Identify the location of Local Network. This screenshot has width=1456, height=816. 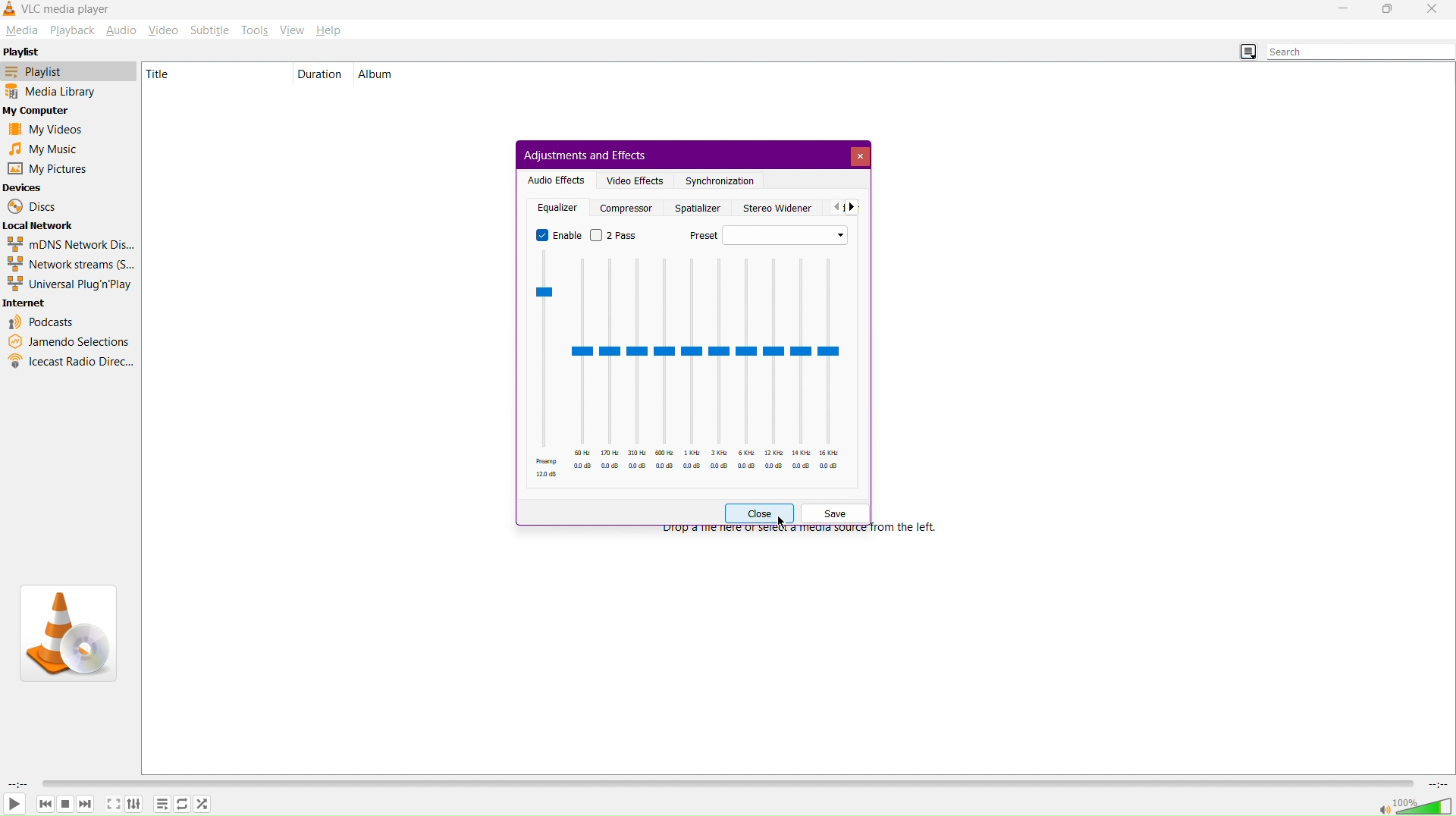
(40, 225).